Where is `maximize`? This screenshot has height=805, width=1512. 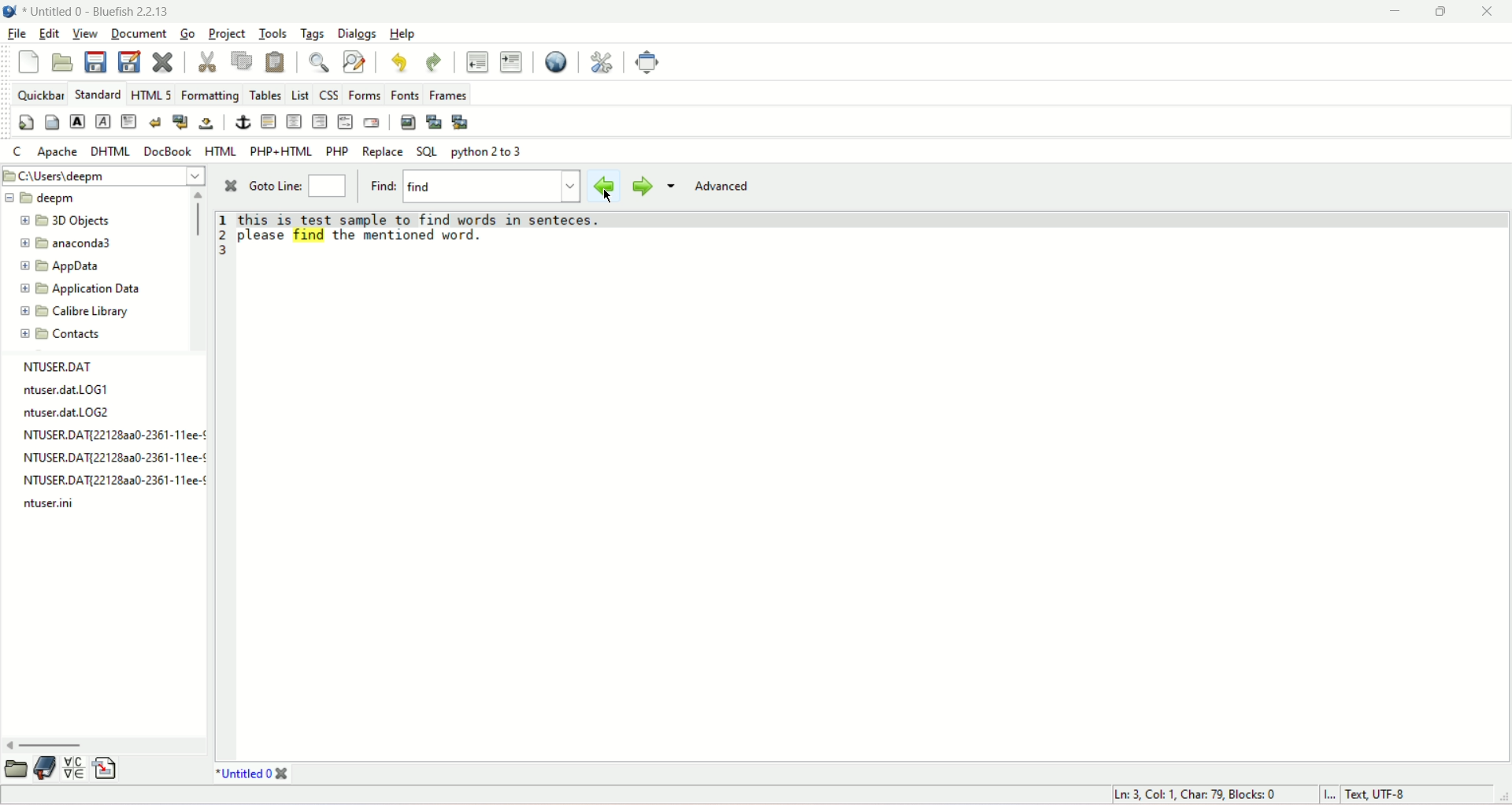 maximize is located at coordinates (1440, 12).